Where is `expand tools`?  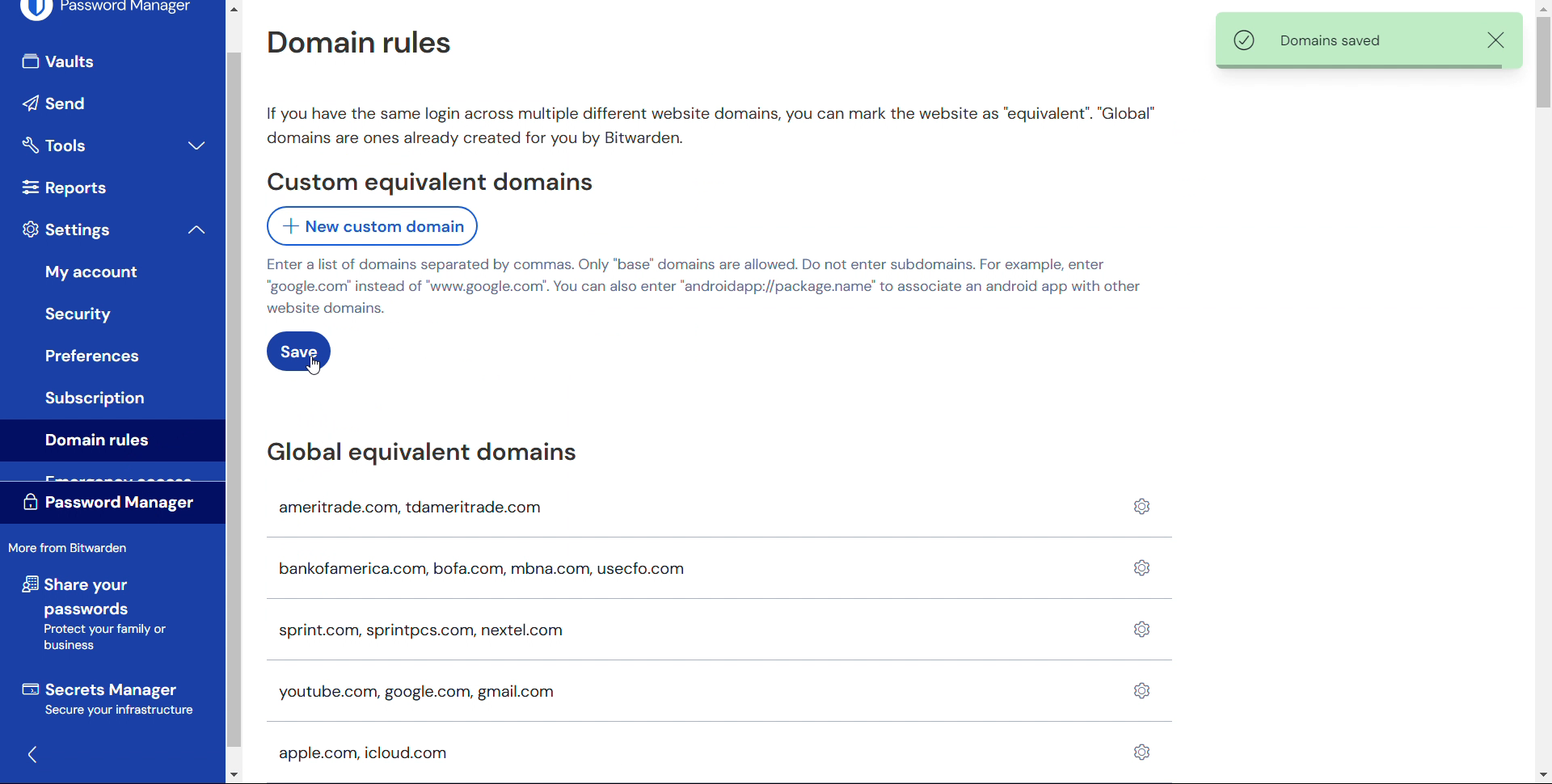
expand tools is located at coordinates (196, 144).